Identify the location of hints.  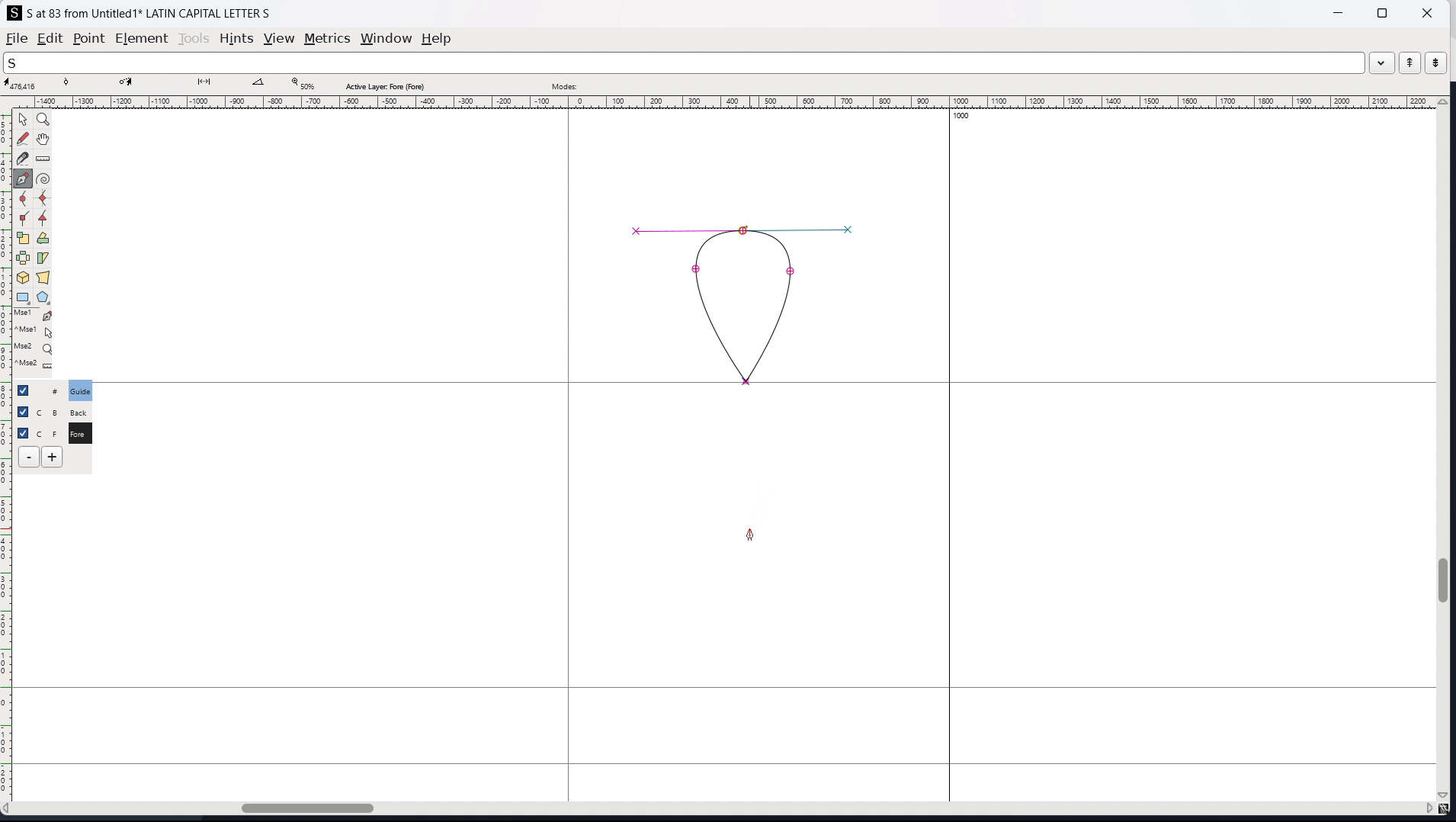
(237, 39).